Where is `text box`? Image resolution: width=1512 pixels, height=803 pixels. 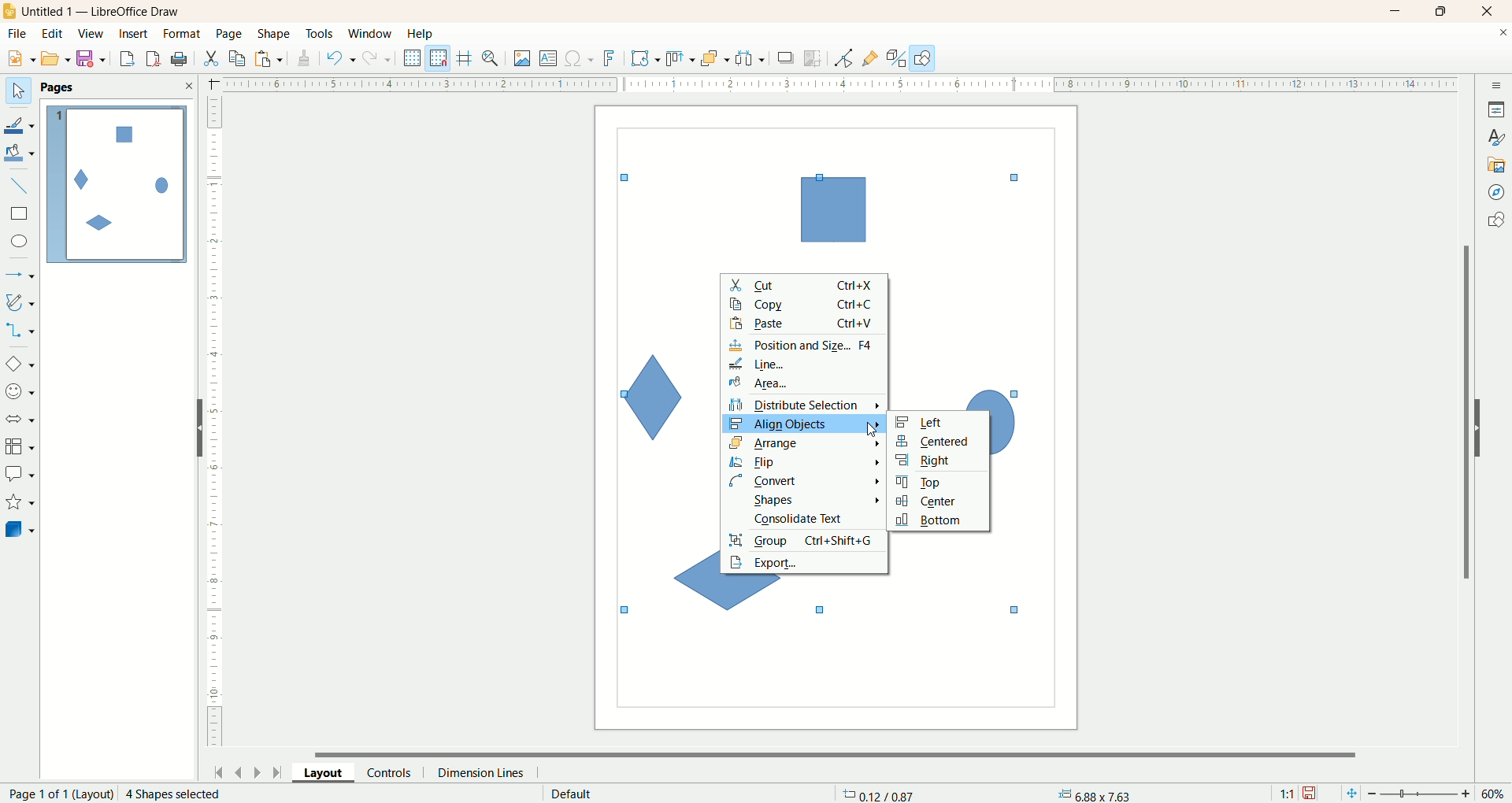
text box is located at coordinates (550, 60).